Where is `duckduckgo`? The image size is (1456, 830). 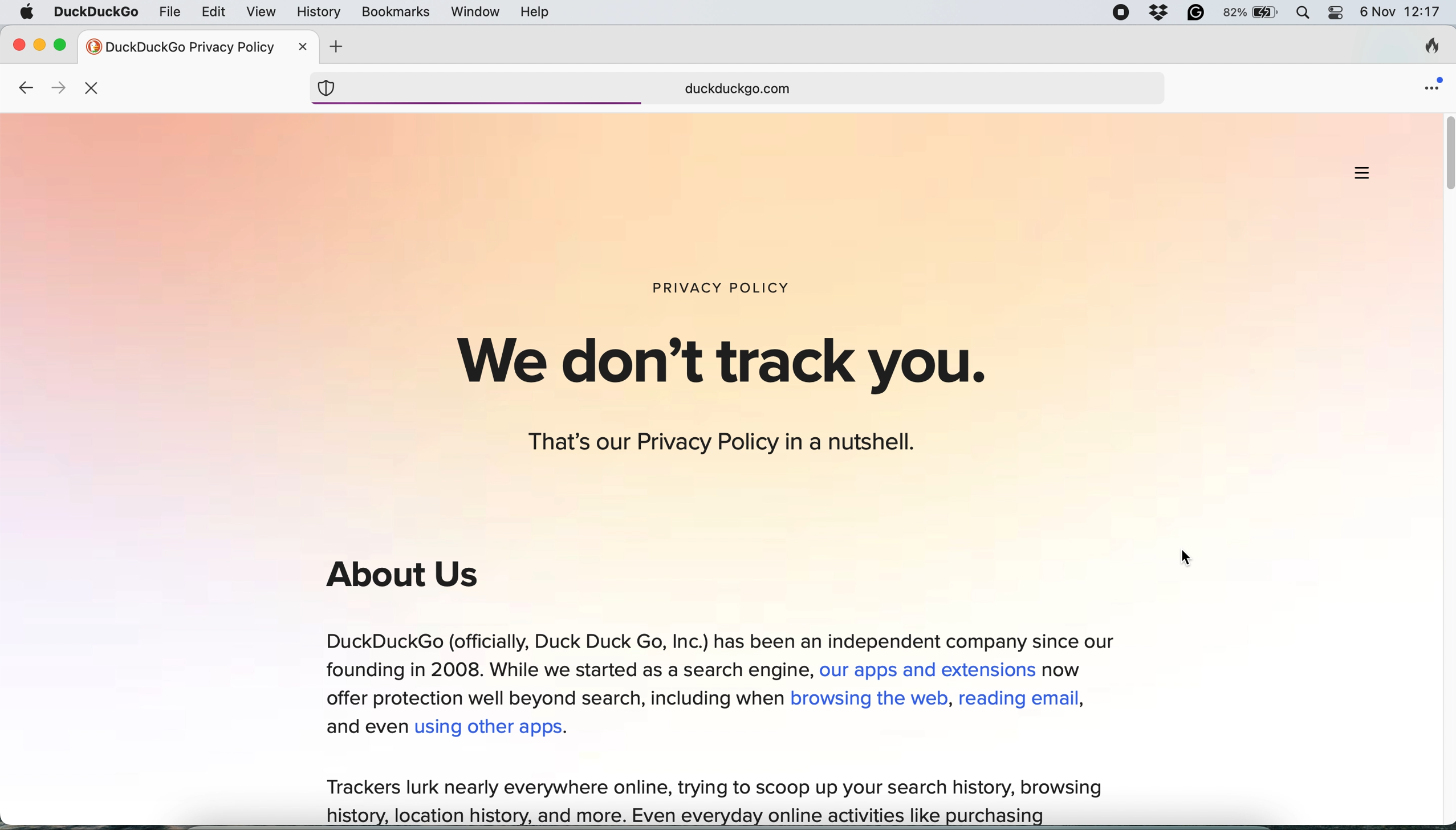
duckduckgo is located at coordinates (95, 13).